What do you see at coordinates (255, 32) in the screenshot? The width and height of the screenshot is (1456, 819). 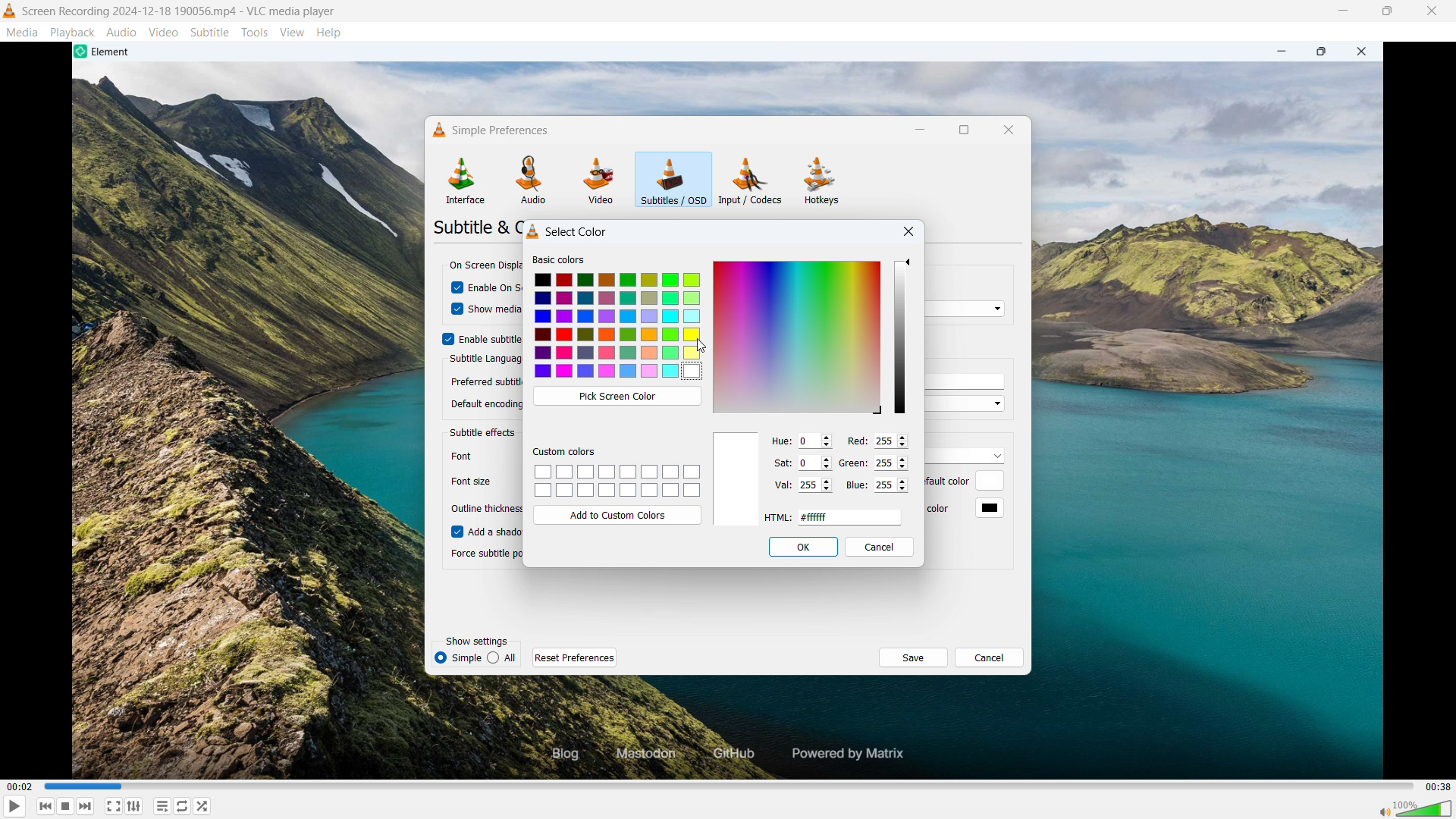 I see `Tools ` at bounding box center [255, 32].